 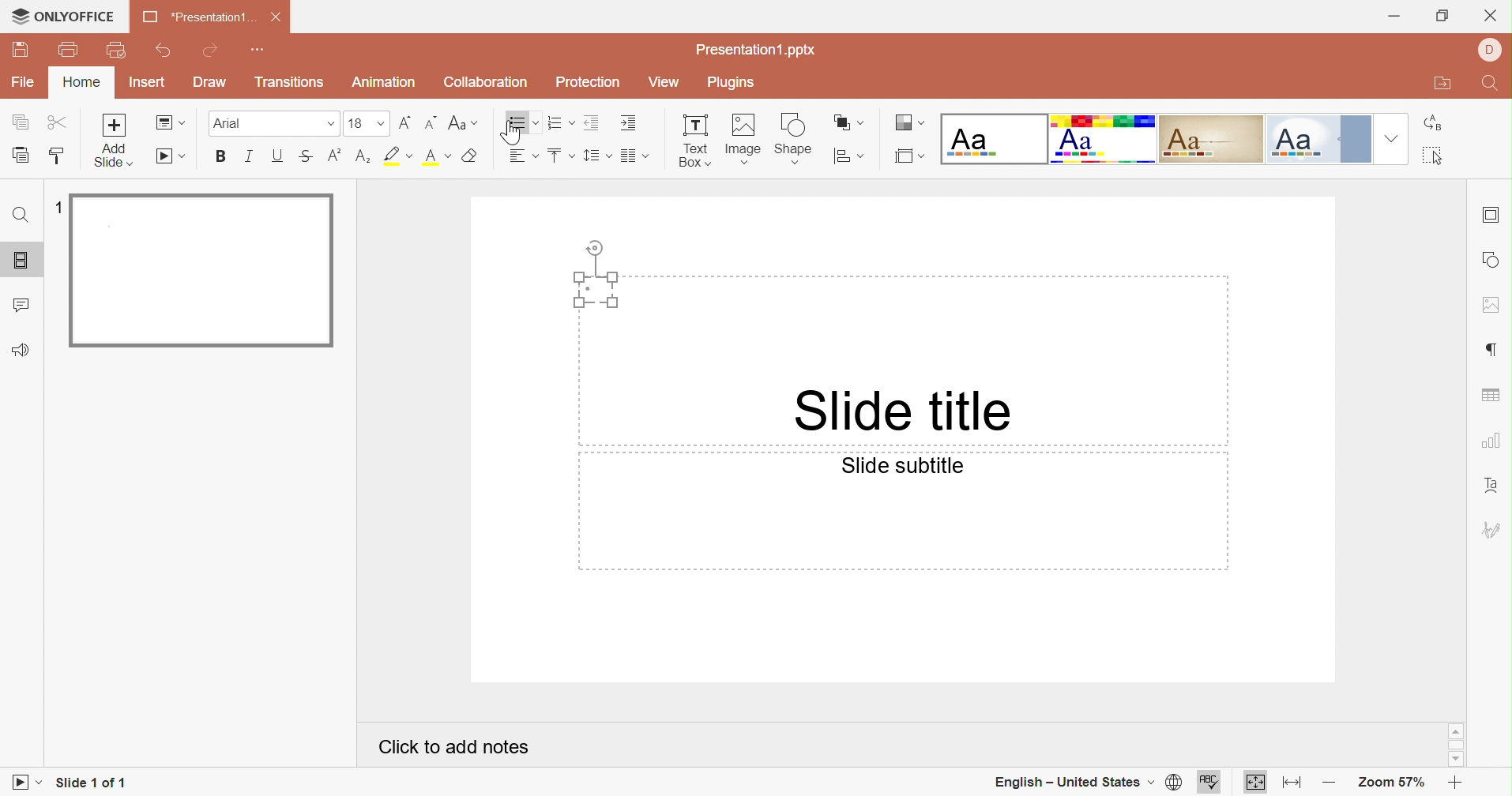 I want to click on Change slide layout, so click(x=171, y=123).